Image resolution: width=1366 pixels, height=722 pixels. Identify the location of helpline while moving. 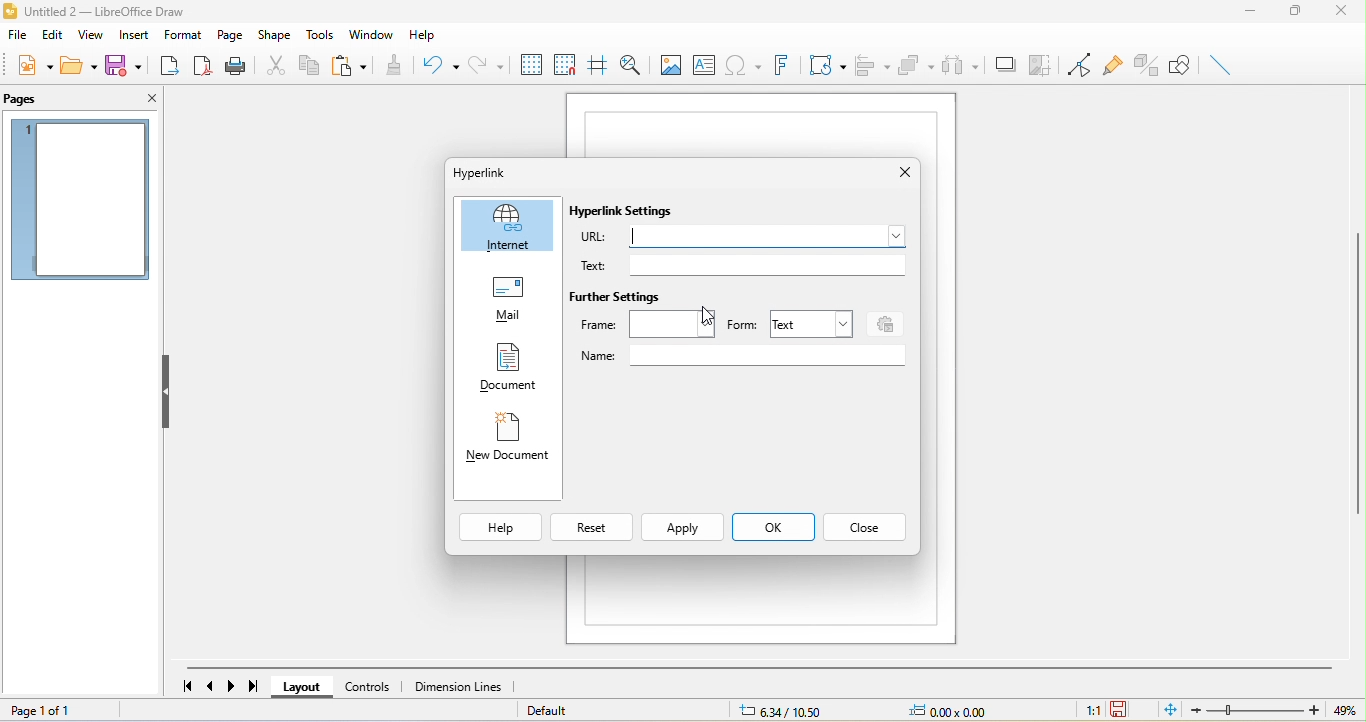
(595, 62).